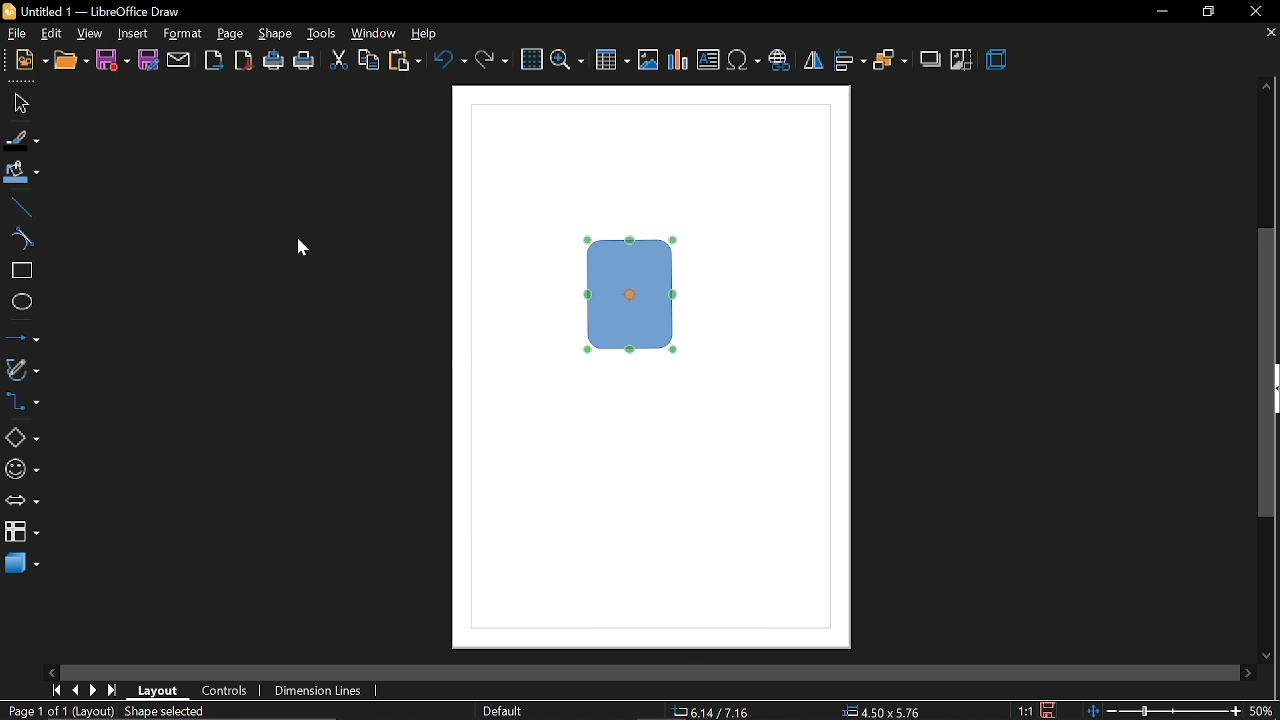 This screenshot has height=720, width=1280. What do you see at coordinates (184, 711) in the screenshot?
I see `Shape selected` at bounding box center [184, 711].